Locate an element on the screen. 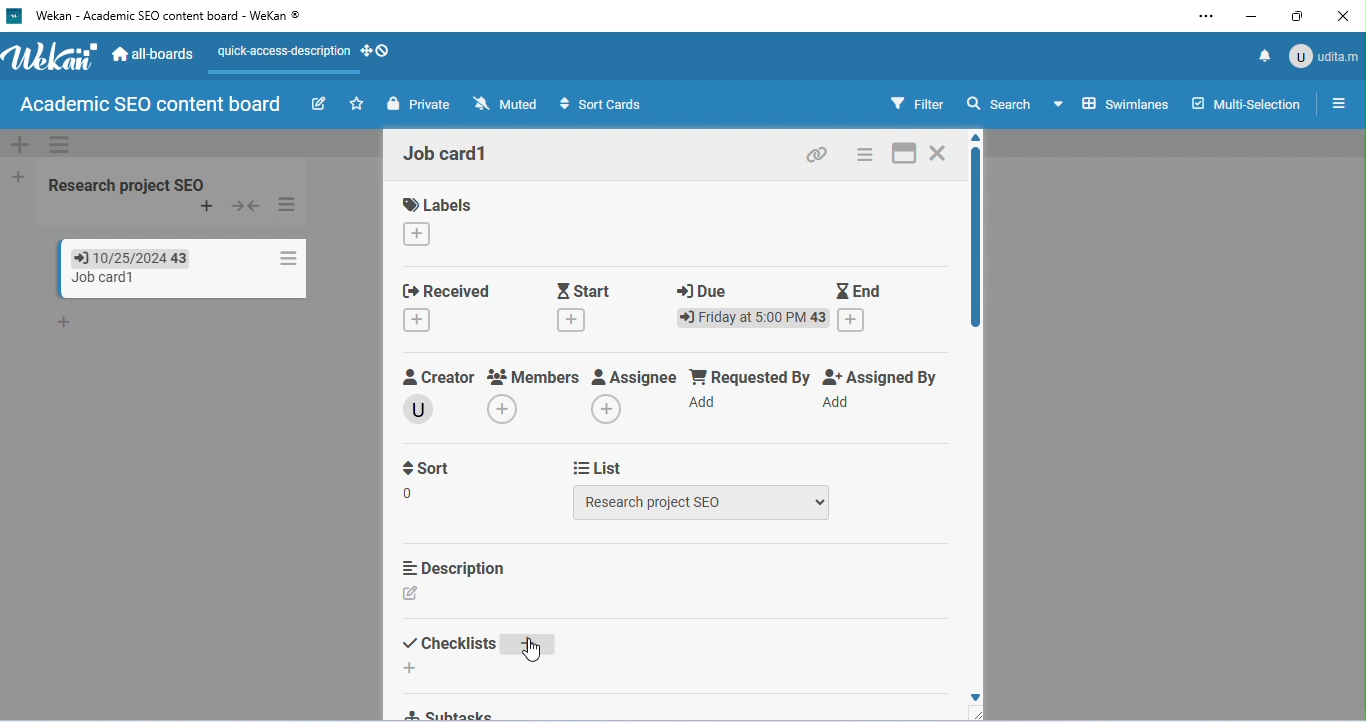 This screenshot has width=1366, height=722. add card to bottom of list is located at coordinates (67, 323).